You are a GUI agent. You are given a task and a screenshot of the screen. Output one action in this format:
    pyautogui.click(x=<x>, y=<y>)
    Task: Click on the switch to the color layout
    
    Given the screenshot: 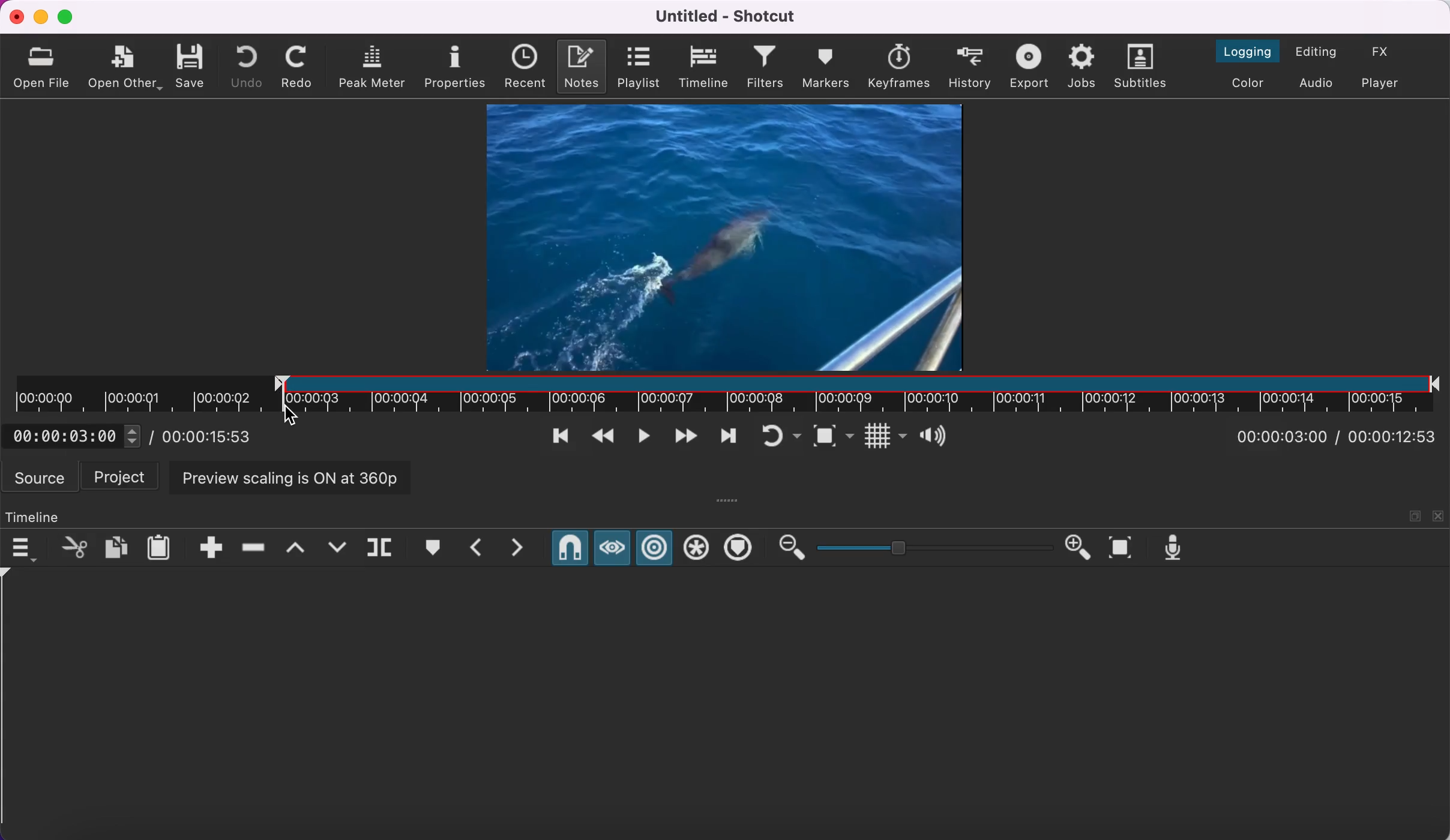 What is the action you would take?
    pyautogui.click(x=1251, y=83)
    